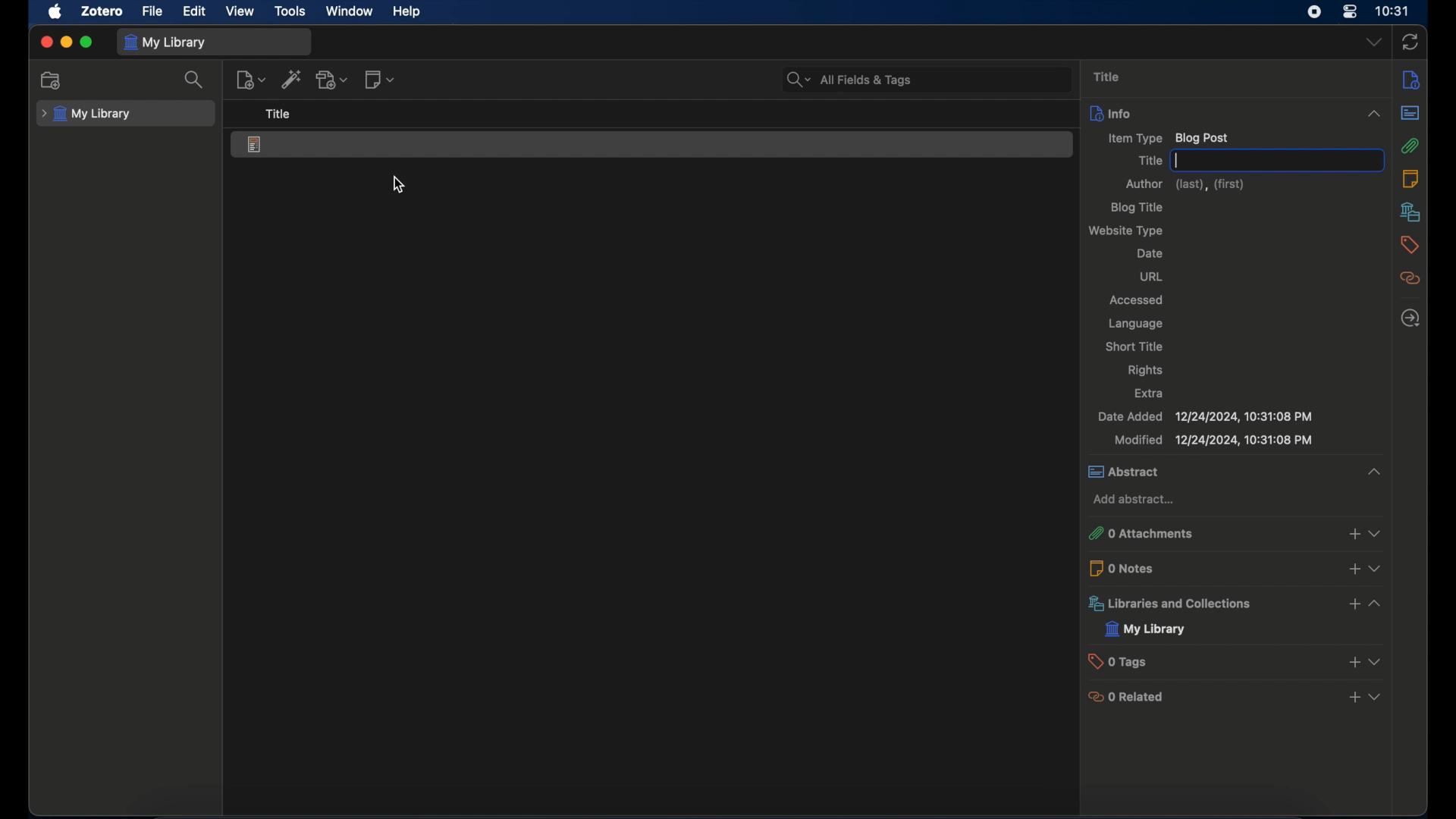  Describe the element at coordinates (1150, 393) in the screenshot. I see `extra` at that location.